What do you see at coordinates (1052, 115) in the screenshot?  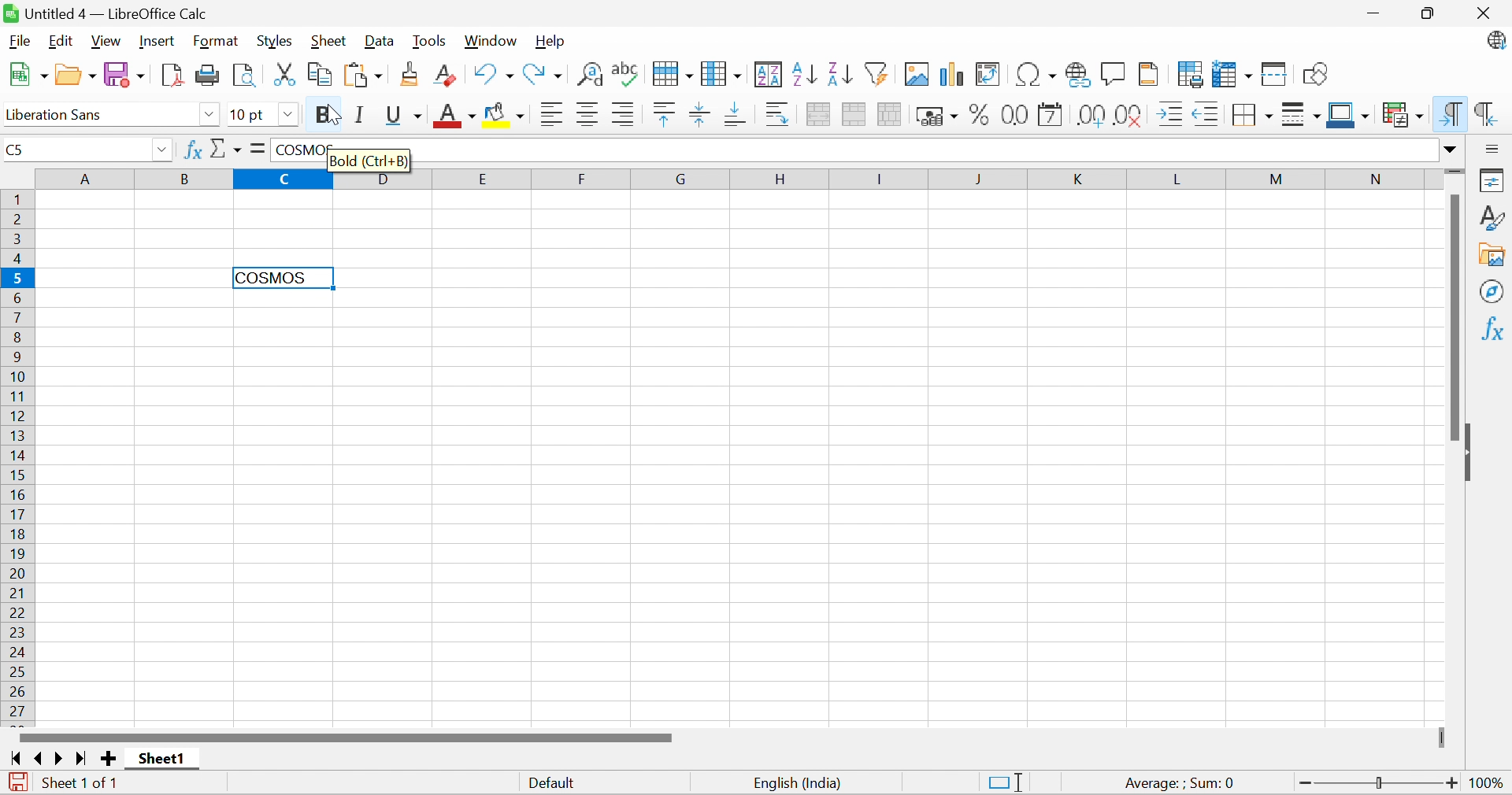 I see `Format as Date` at bounding box center [1052, 115].